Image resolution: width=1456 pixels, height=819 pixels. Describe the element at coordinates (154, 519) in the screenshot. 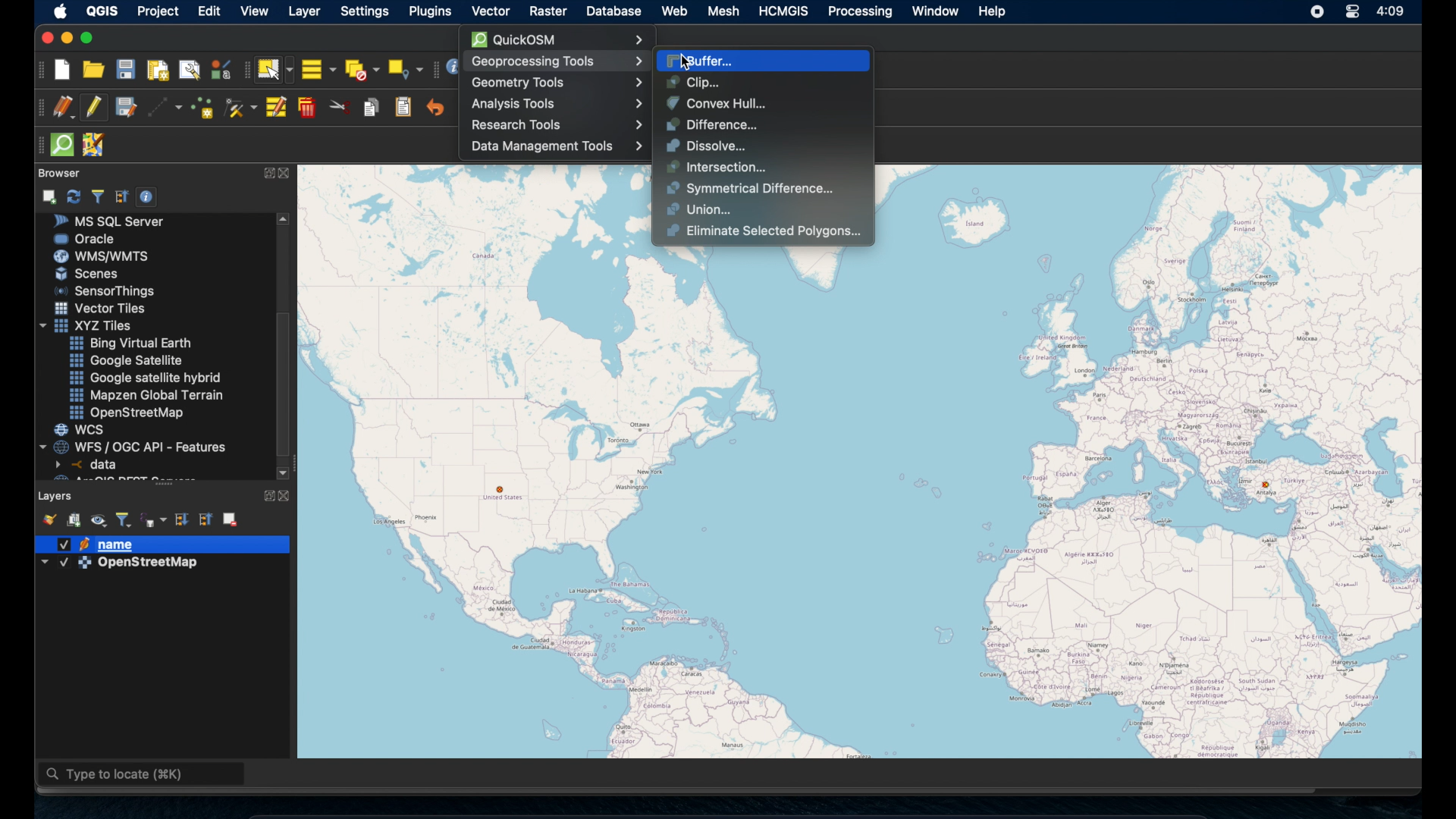

I see `filter legend by expression` at that location.